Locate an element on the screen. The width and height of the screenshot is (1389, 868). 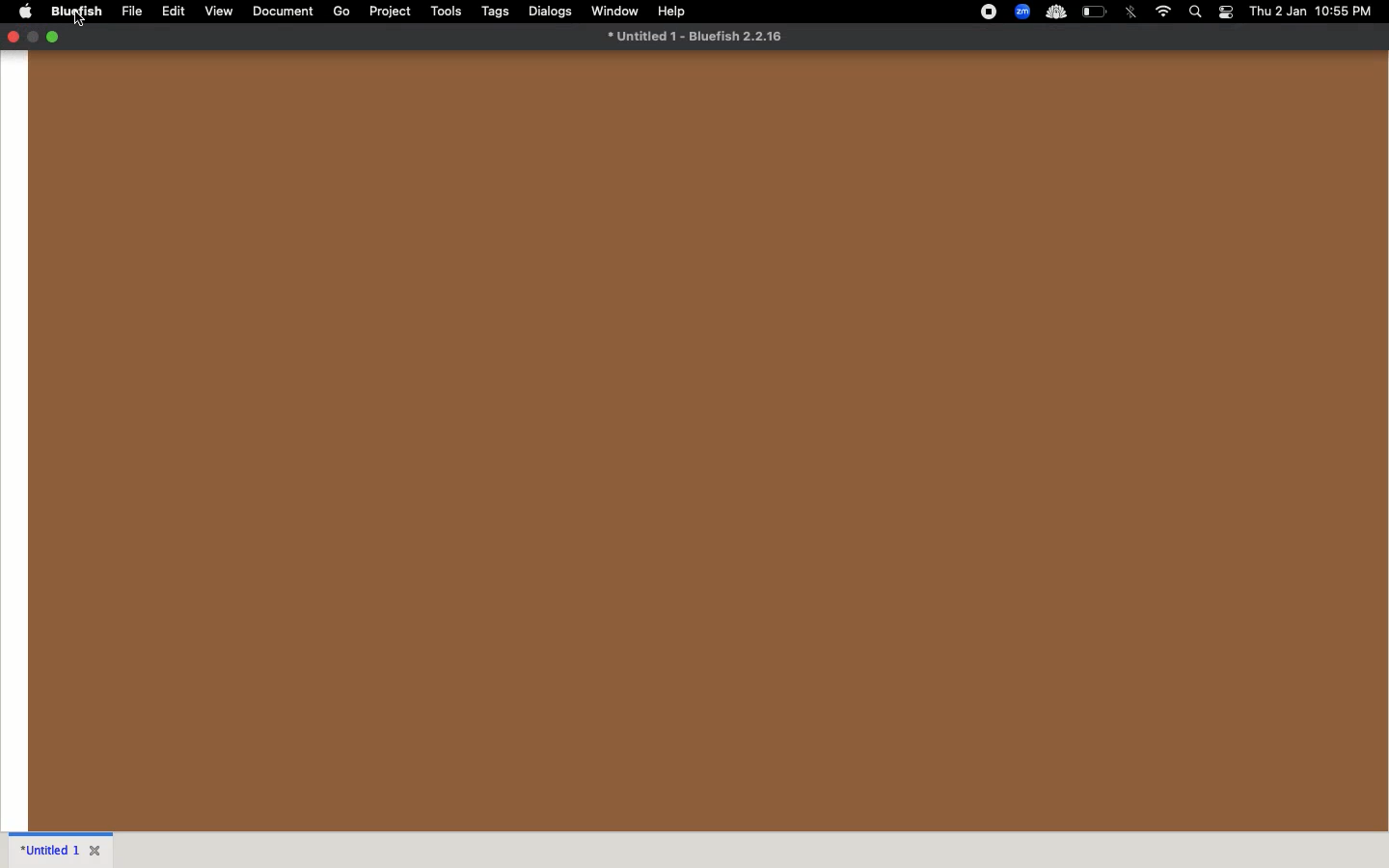
view is located at coordinates (220, 12).